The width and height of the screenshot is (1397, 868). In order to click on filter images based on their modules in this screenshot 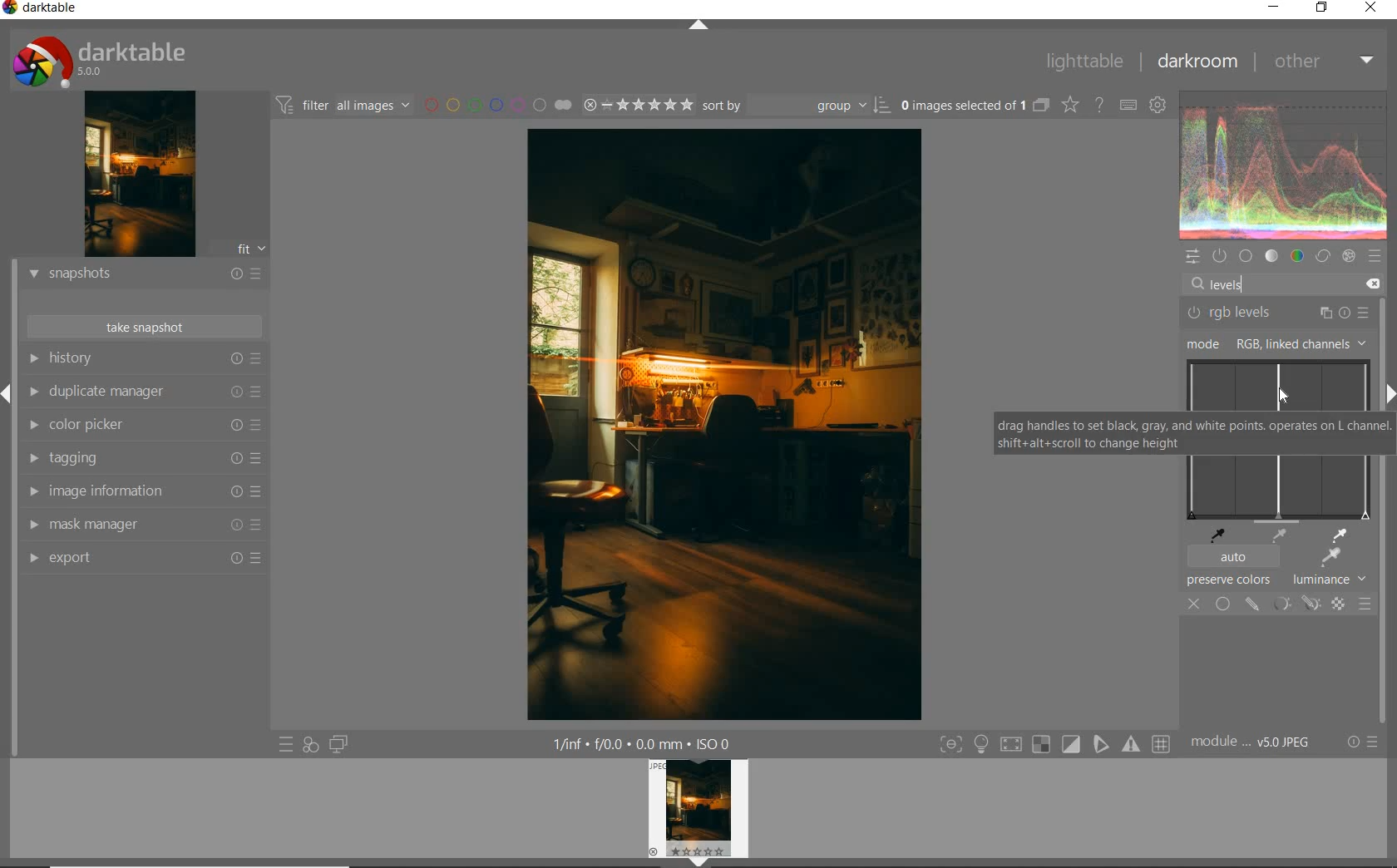, I will do `click(343, 105)`.